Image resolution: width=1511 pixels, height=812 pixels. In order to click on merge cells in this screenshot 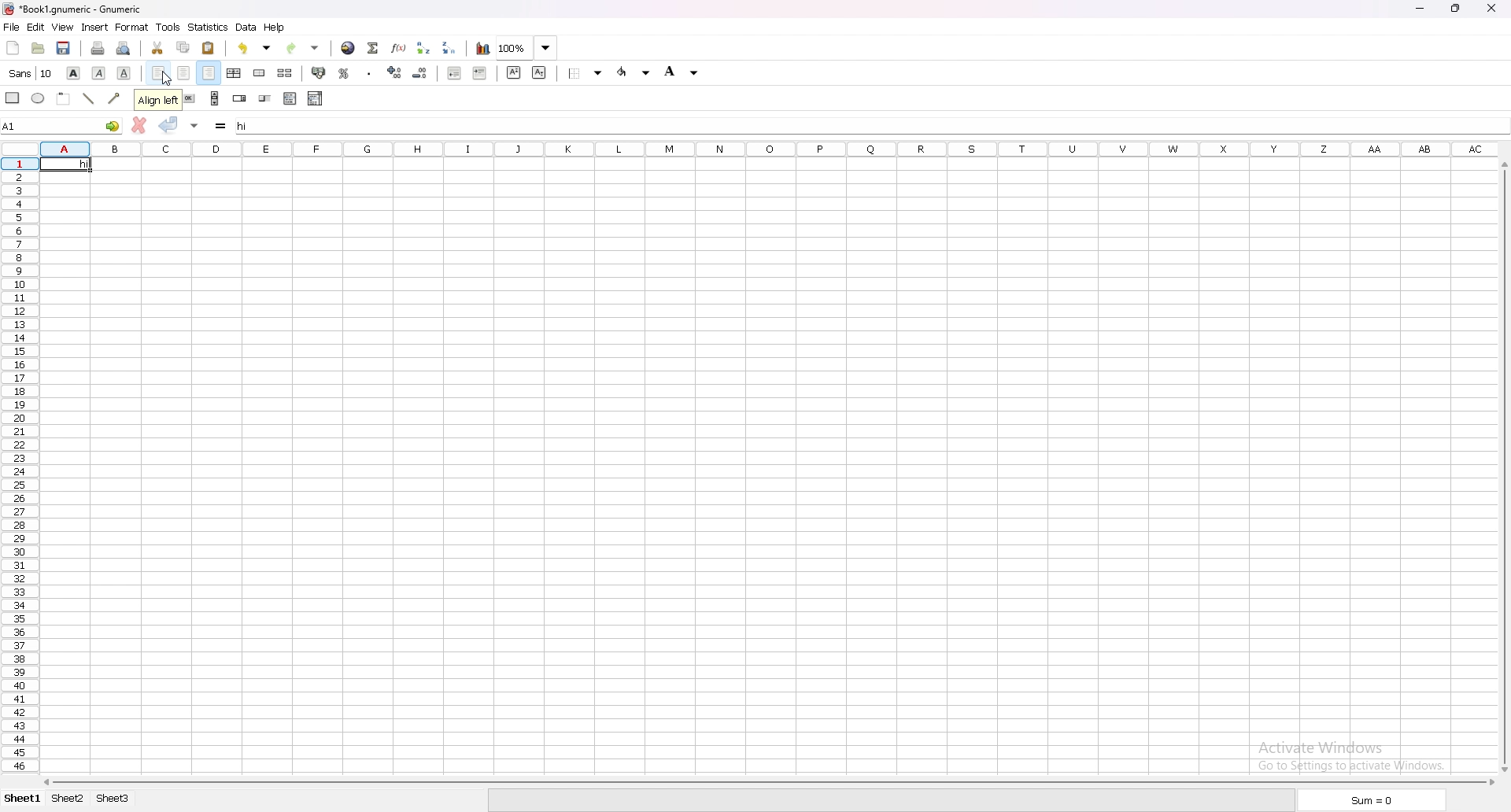, I will do `click(259, 73)`.